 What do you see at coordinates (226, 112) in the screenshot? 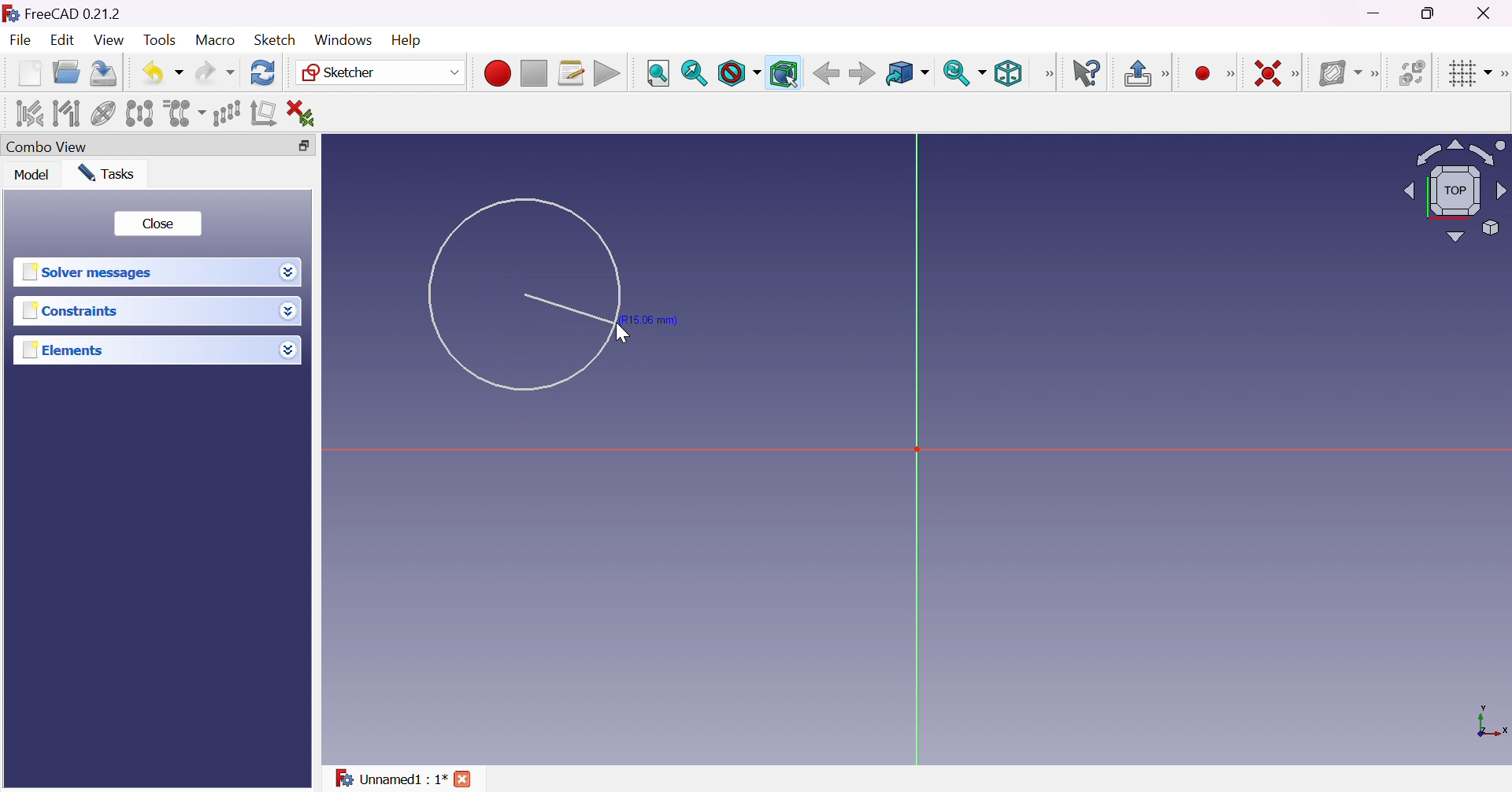
I see `Rectangular array` at bounding box center [226, 112].